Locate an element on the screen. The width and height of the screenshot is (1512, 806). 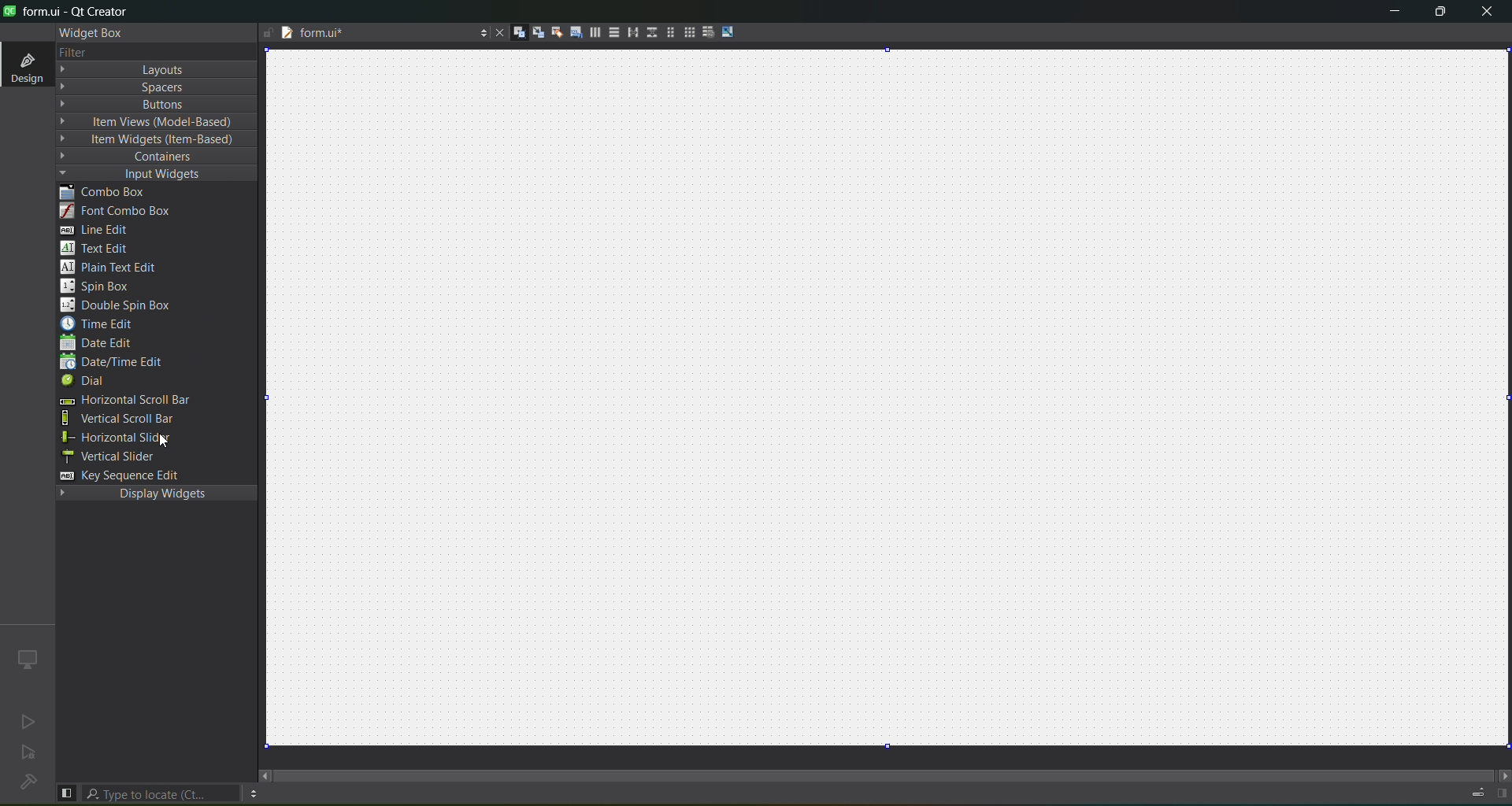
input widgets is located at coordinates (142, 173).